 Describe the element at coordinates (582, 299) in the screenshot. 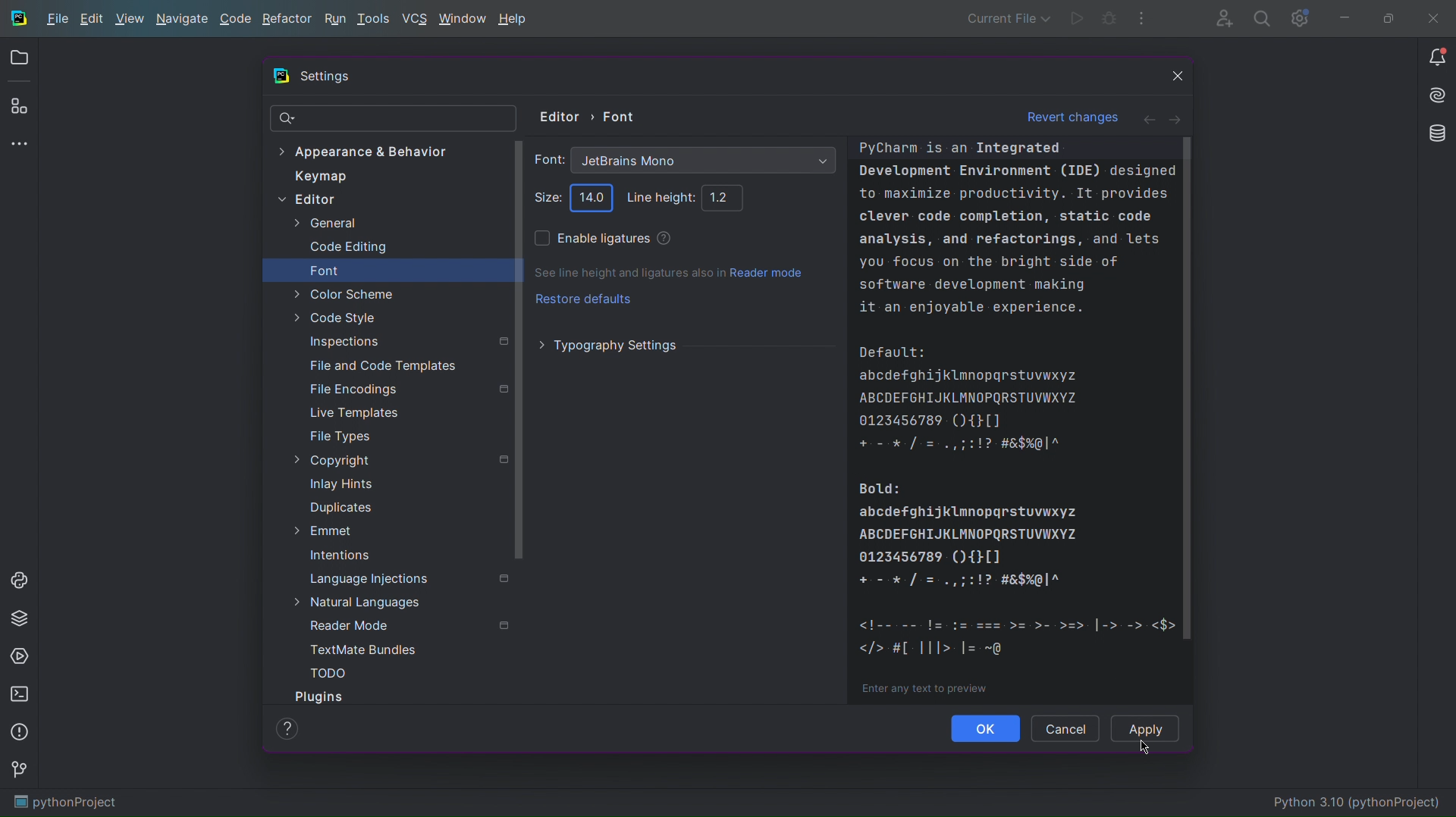

I see `Restore defaults` at that location.